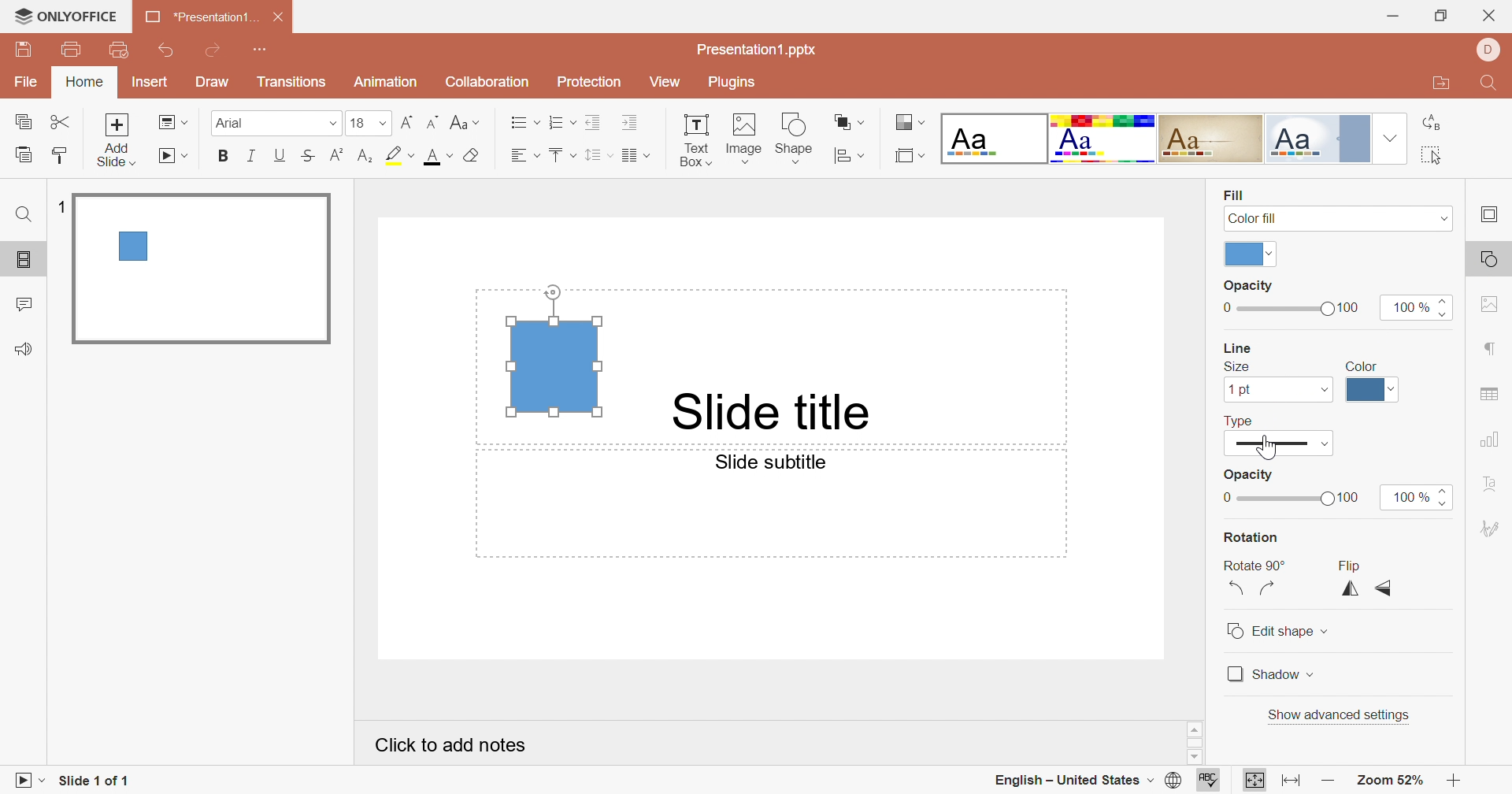 Image resolution: width=1512 pixels, height=794 pixels. What do you see at coordinates (63, 123) in the screenshot?
I see `Cut` at bounding box center [63, 123].